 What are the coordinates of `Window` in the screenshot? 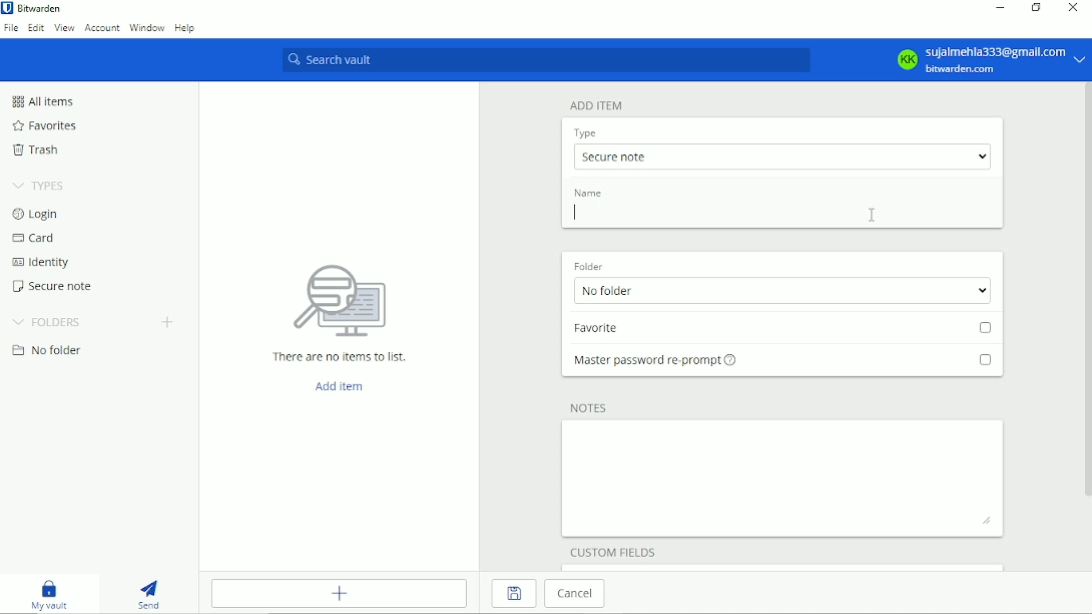 It's located at (147, 27).